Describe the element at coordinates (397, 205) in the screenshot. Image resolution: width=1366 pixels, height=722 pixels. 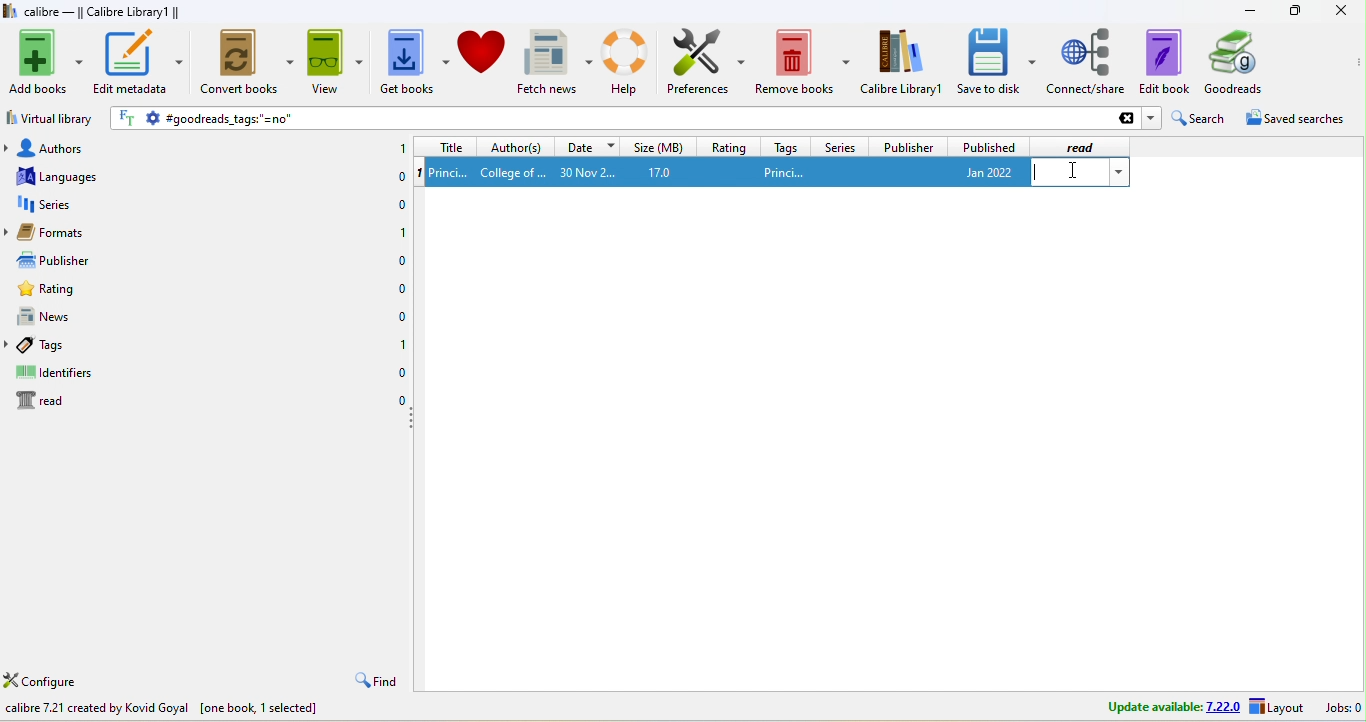
I see `0` at that location.